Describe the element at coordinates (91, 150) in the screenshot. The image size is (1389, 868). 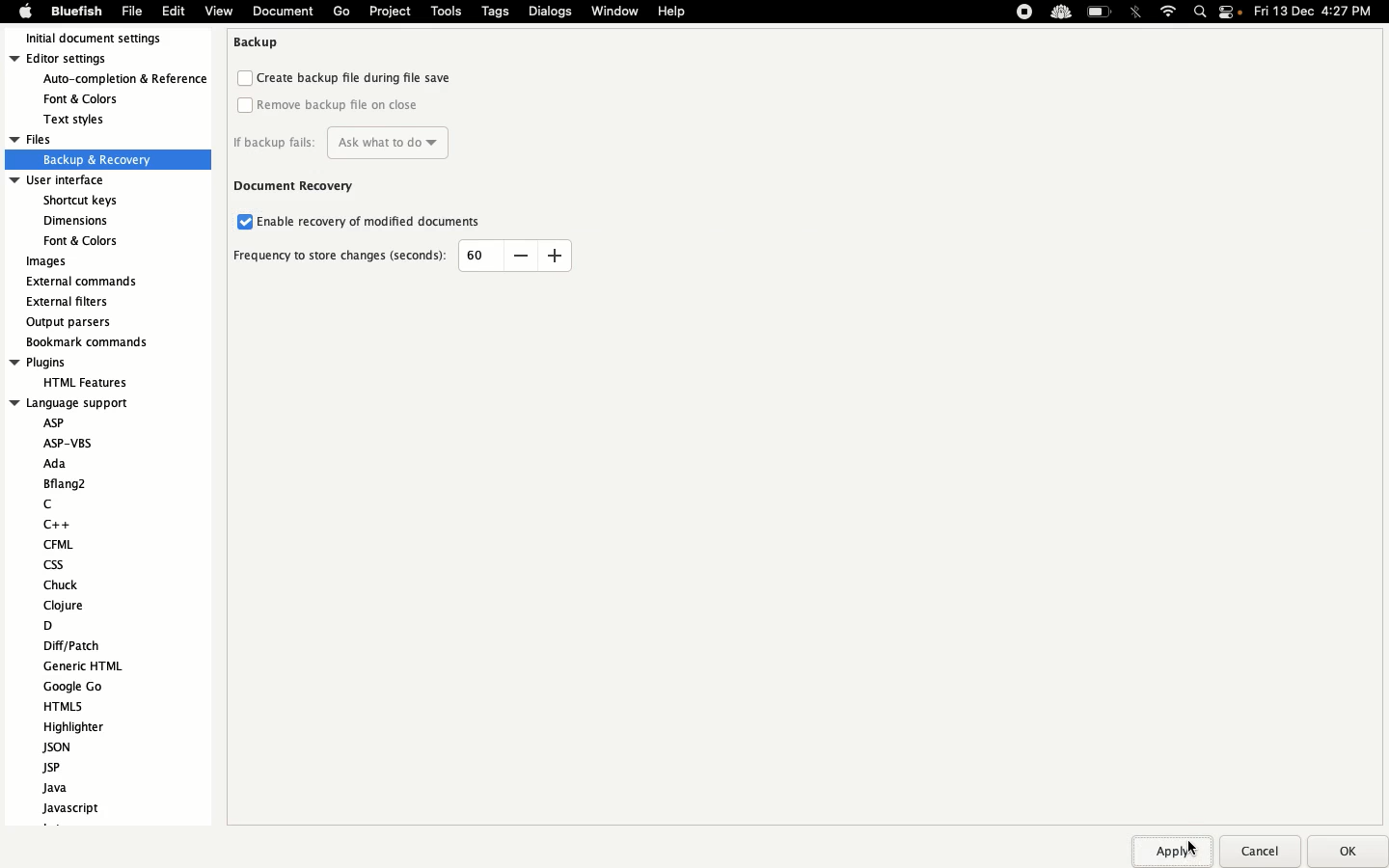
I see `Files` at that location.